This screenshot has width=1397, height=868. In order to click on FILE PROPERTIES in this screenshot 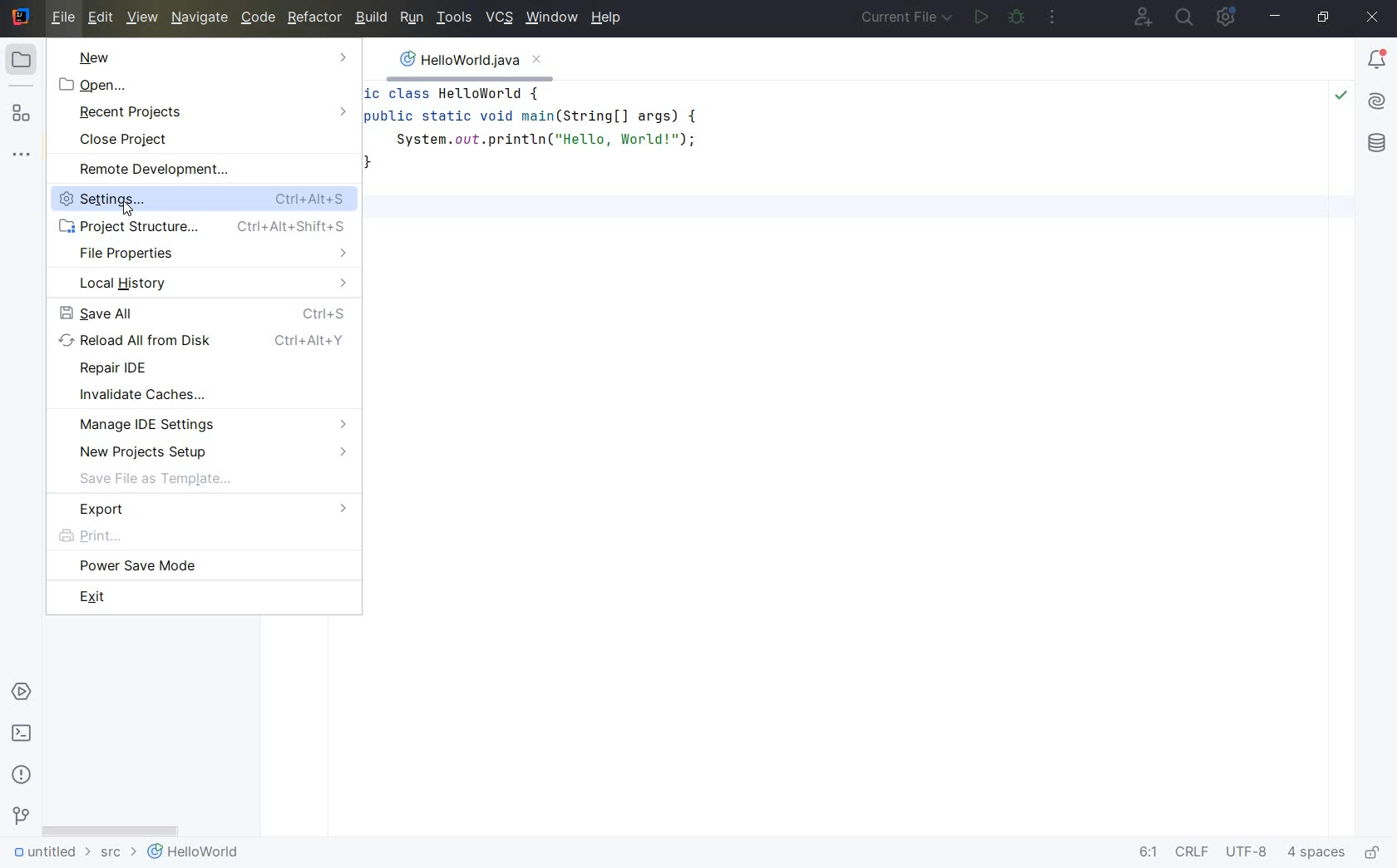, I will do `click(208, 254)`.